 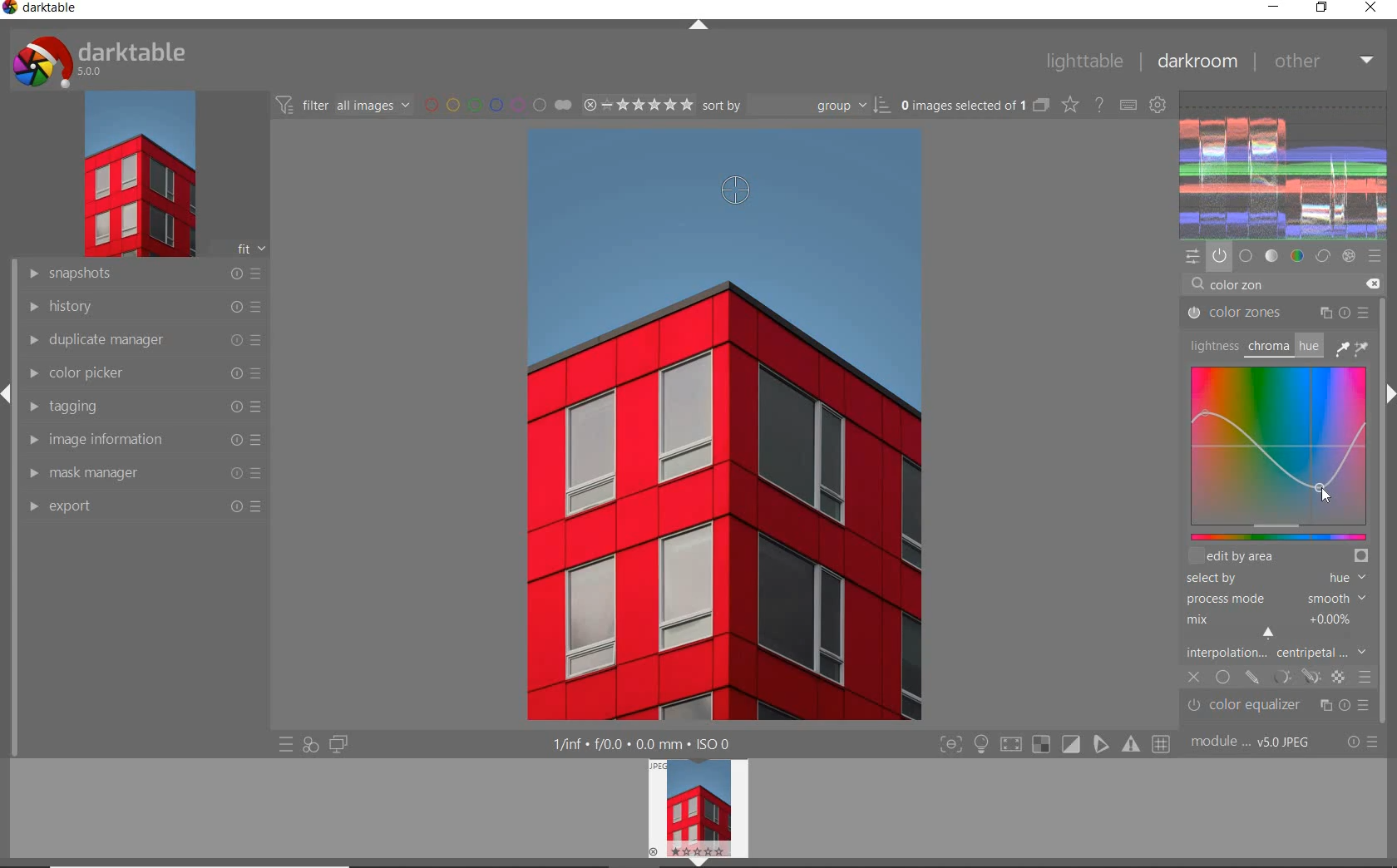 What do you see at coordinates (1372, 283) in the screenshot?
I see `DELETE` at bounding box center [1372, 283].